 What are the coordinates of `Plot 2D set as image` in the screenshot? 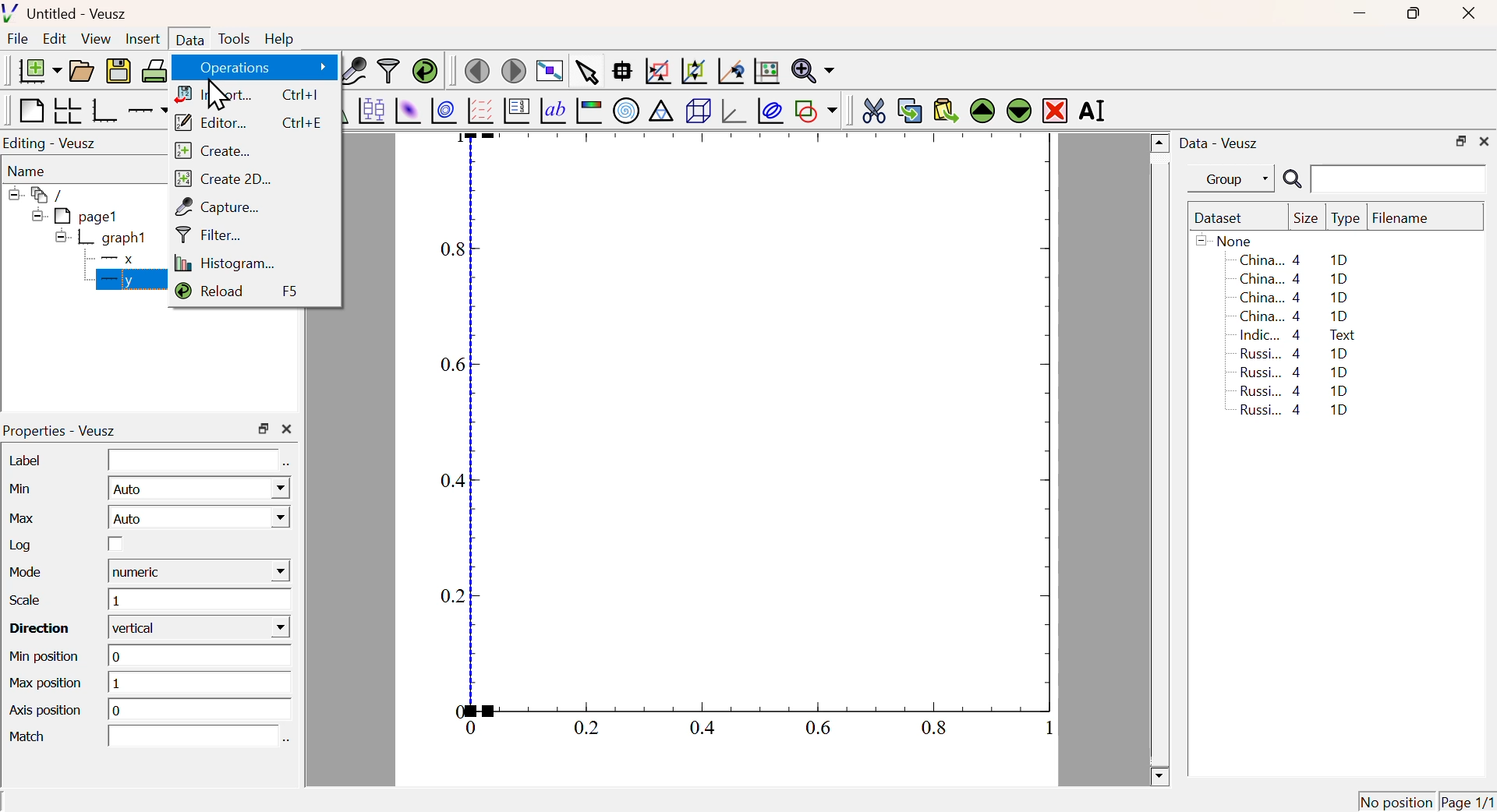 It's located at (407, 111).